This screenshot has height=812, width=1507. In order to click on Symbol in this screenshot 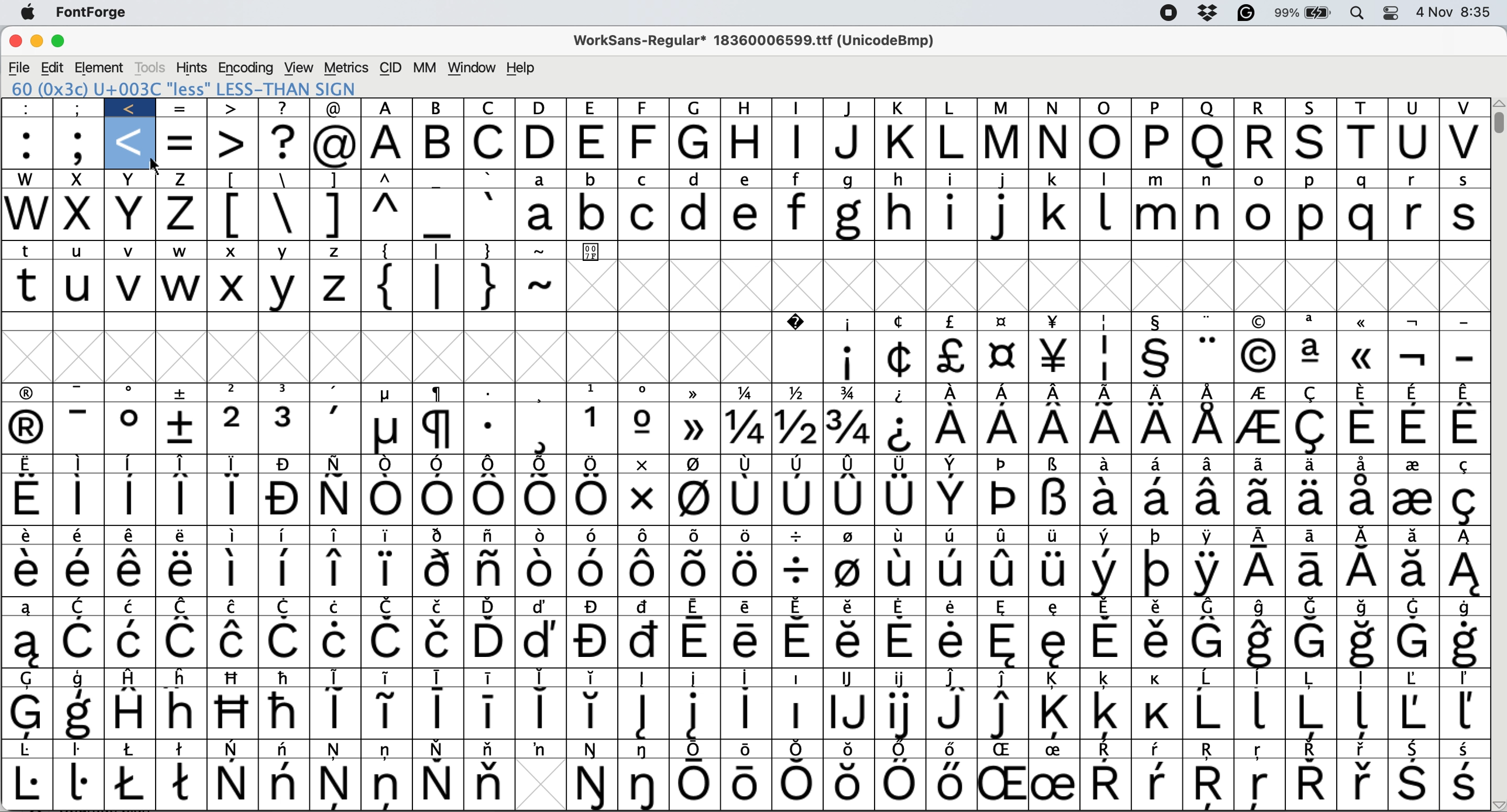, I will do `click(1309, 394)`.